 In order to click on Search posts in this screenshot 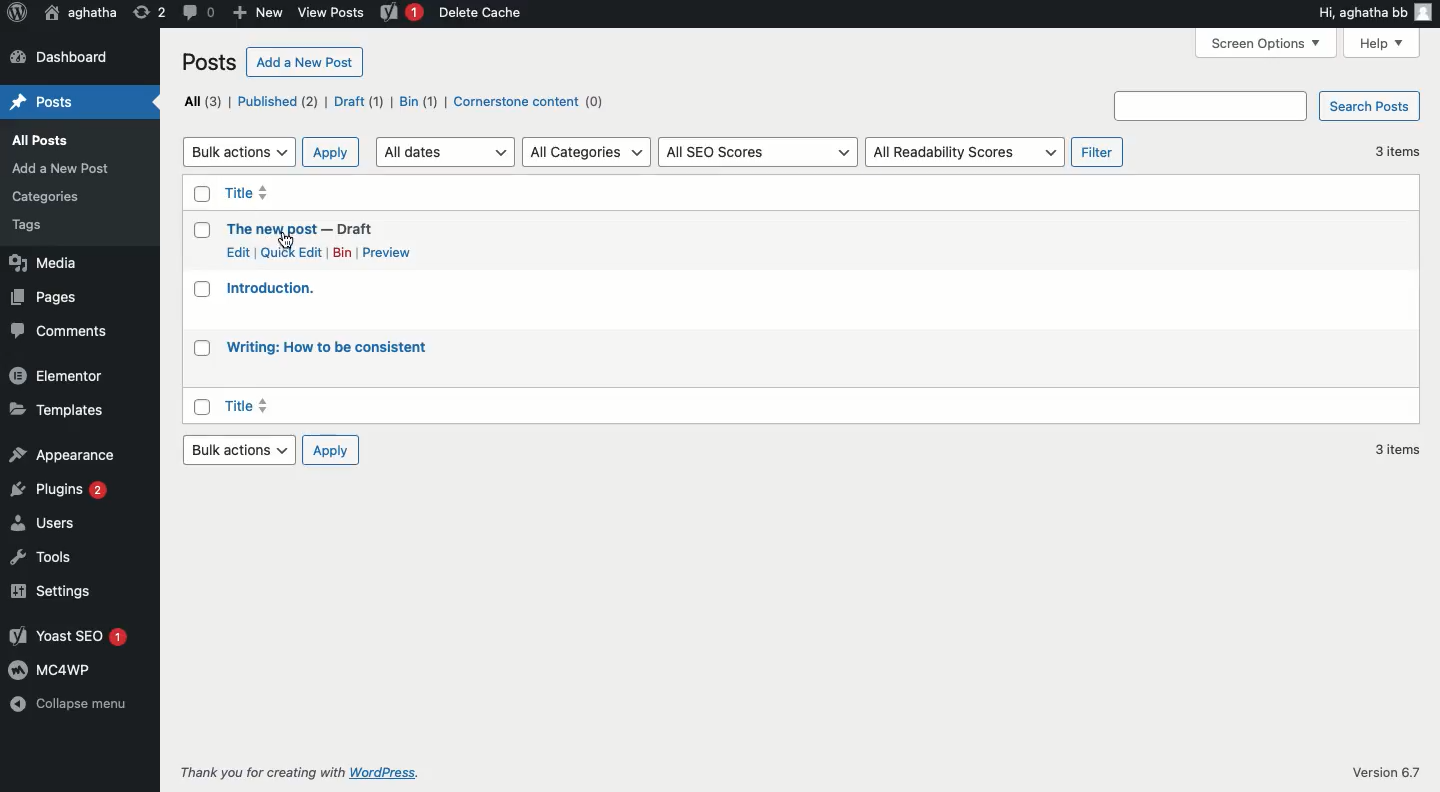, I will do `click(1266, 106)`.